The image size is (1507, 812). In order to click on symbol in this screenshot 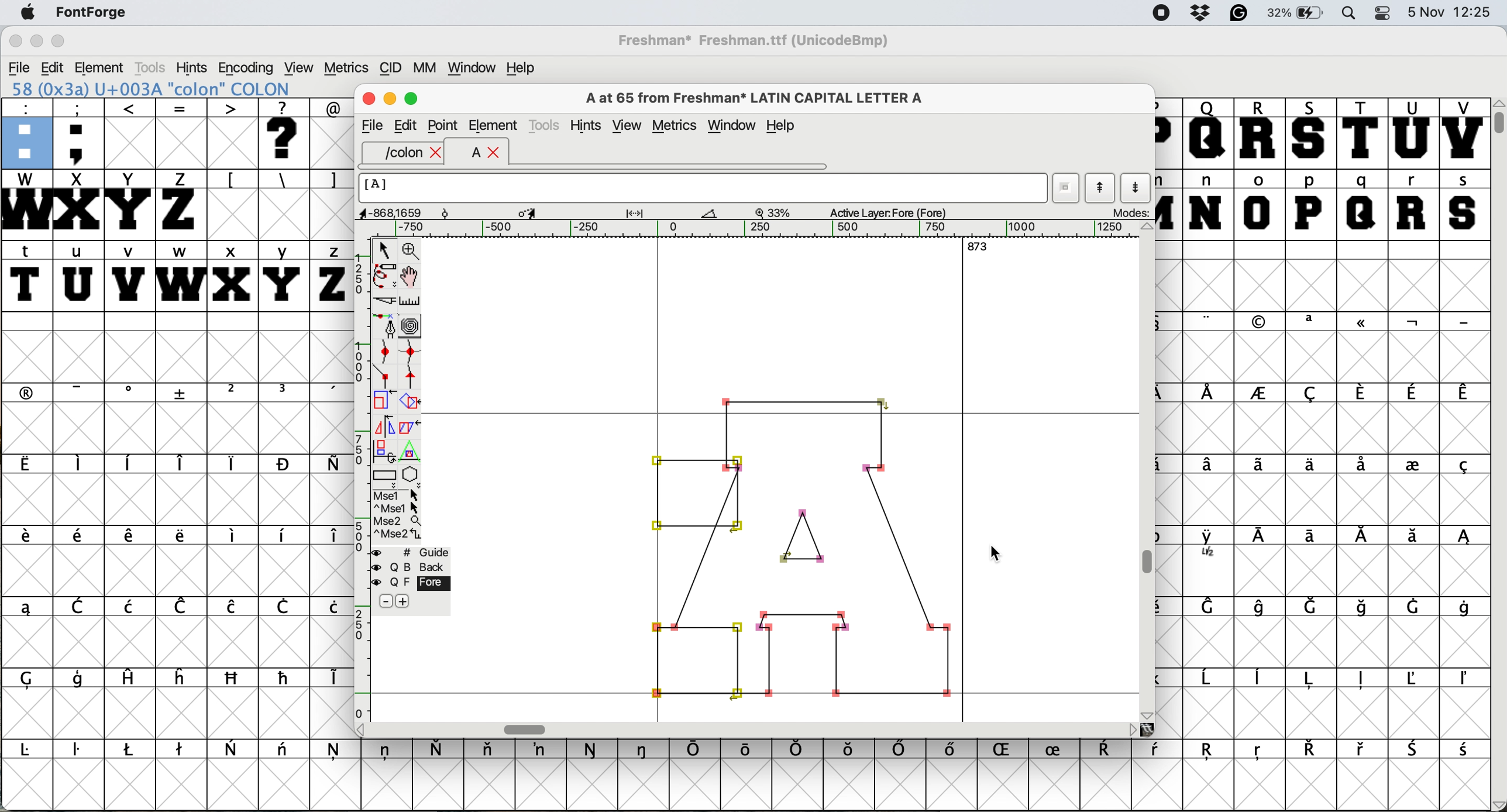, I will do `click(1261, 463)`.